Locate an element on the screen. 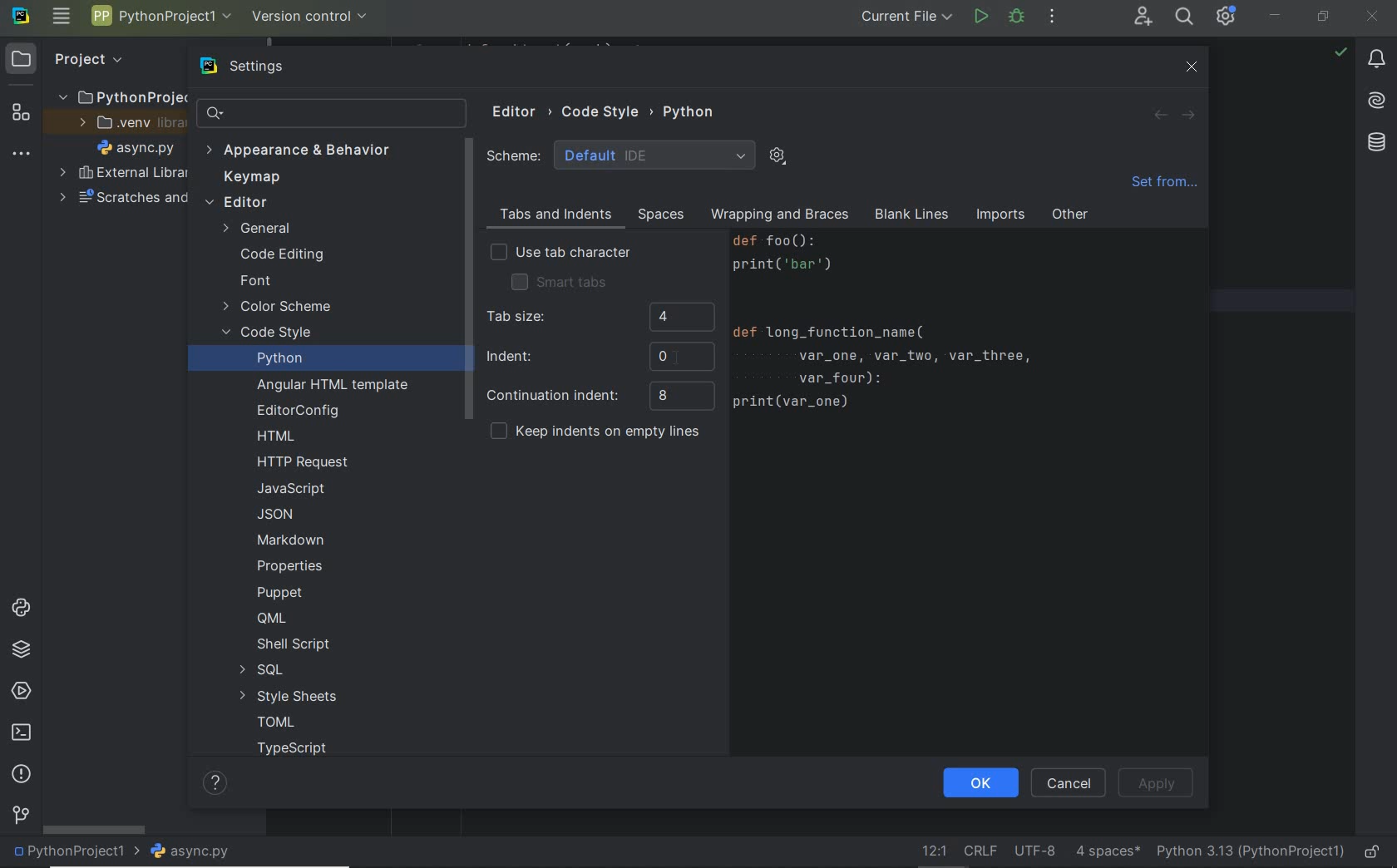 This screenshot has width=1397, height=868. wrapping and braces is located at coordinates (777, 216).